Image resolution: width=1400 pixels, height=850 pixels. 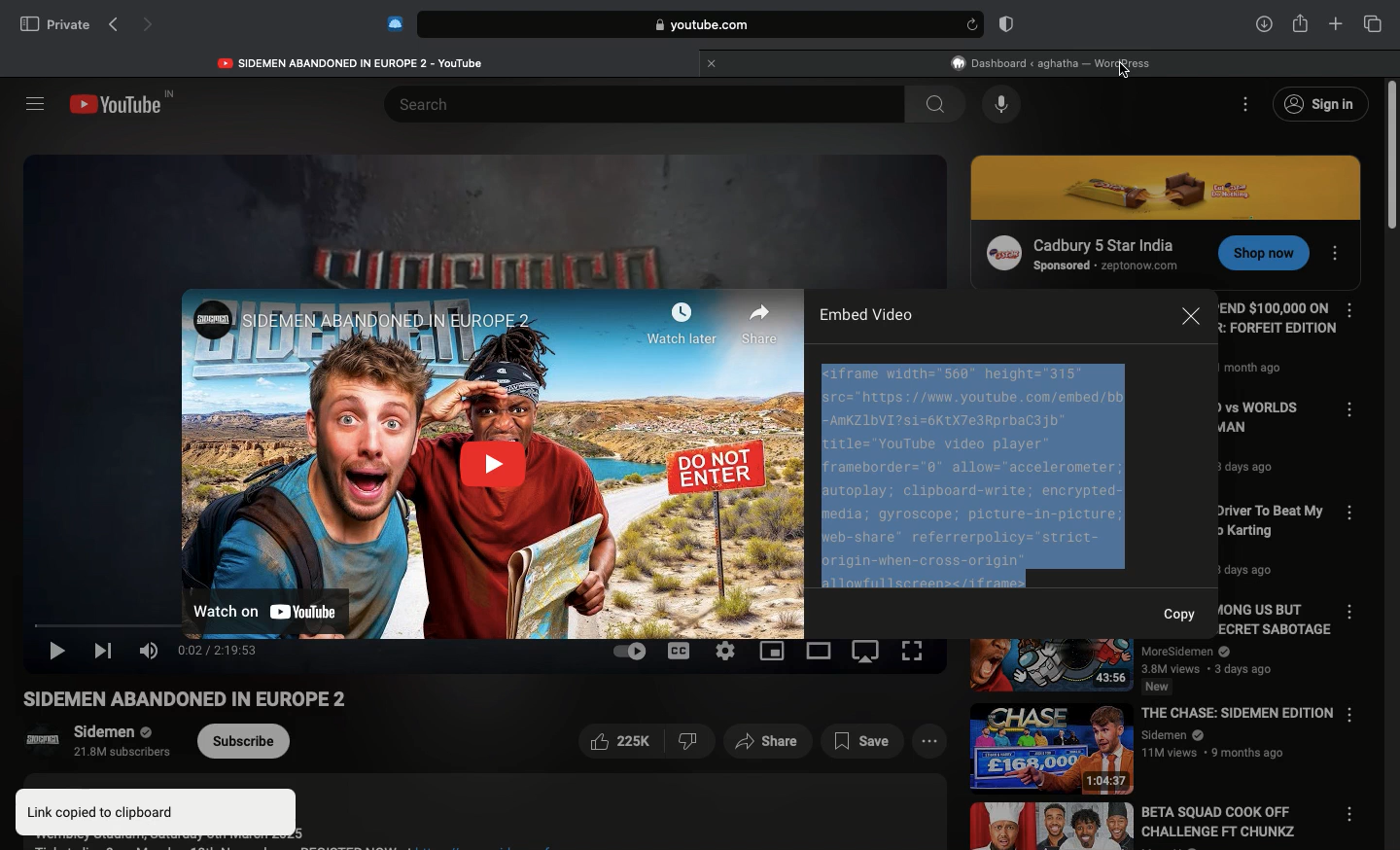 What do you see at coordinates (246, 741) in the screenshot?
I see `Subcribe` at bounding box center [246, 741].